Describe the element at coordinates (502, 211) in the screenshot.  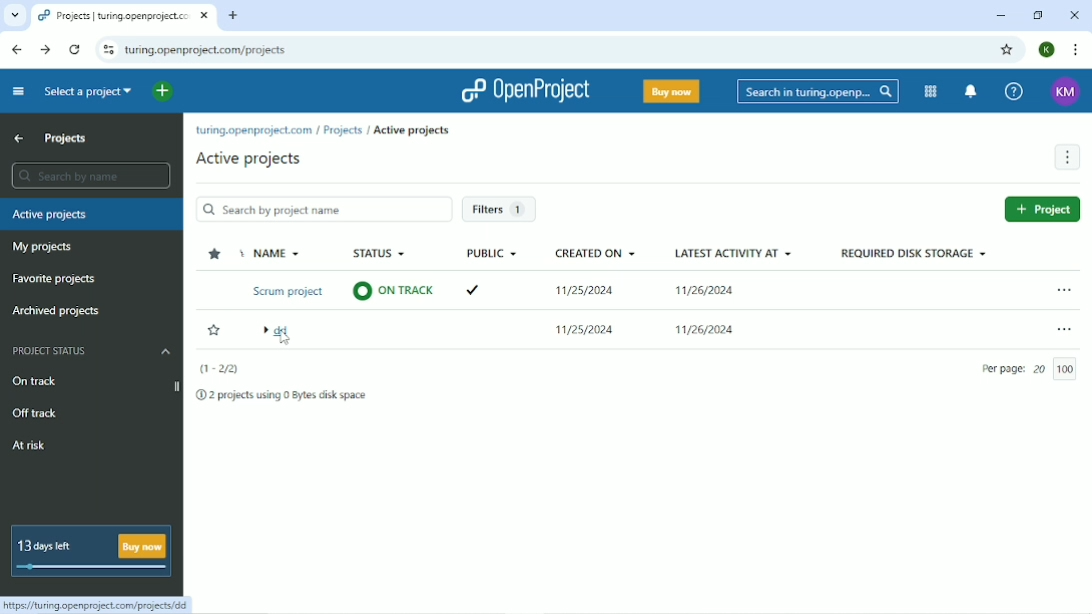
I see `Filters` at that location.